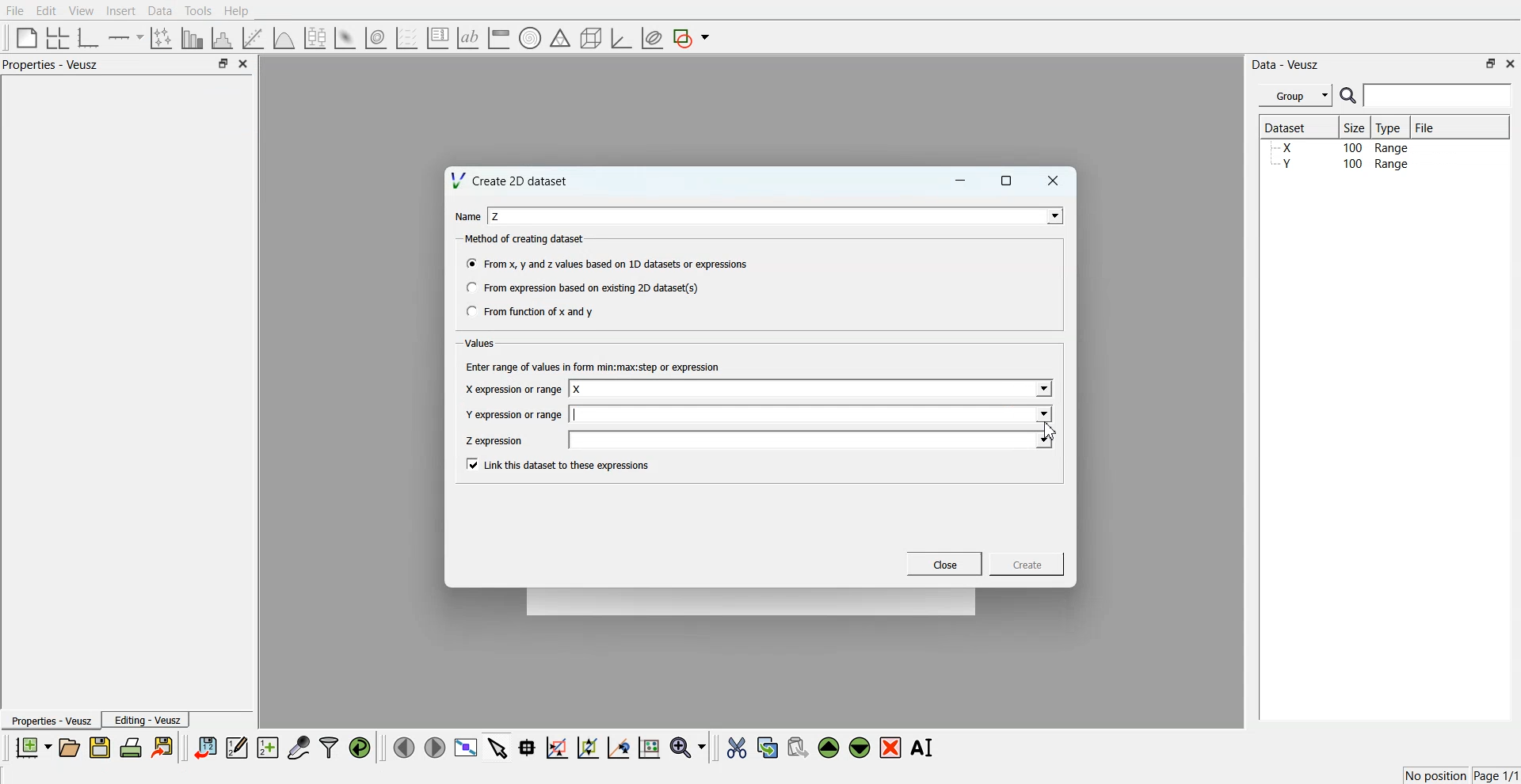 The height and width of the screenshot is (784, 1521). What do you see at coordinates (829, 748) in the screenshot?
I see `Move up the selected widget` at bounding box center [829, 748].